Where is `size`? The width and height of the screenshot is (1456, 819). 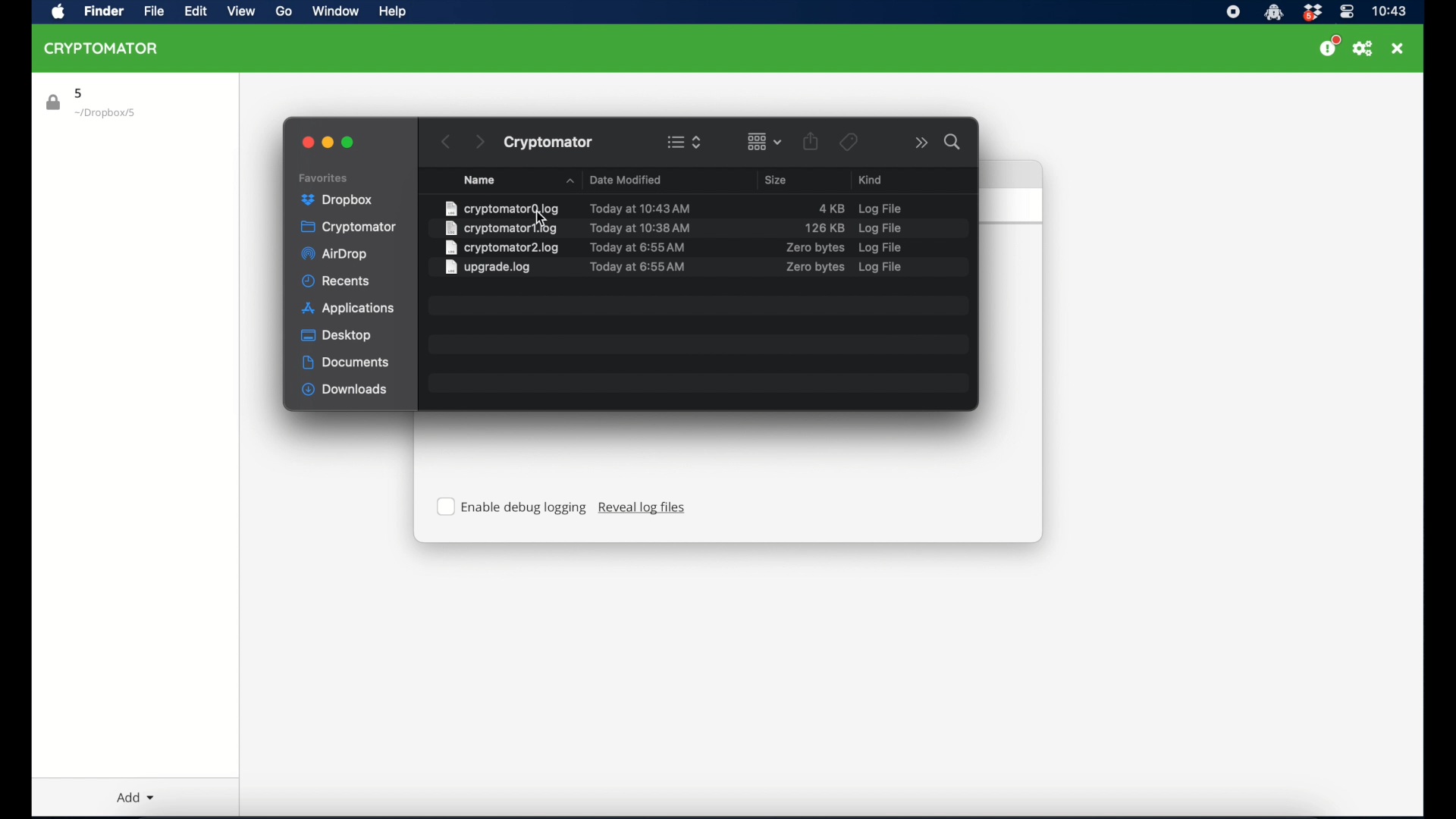 size is located at coordinates (814, 268).